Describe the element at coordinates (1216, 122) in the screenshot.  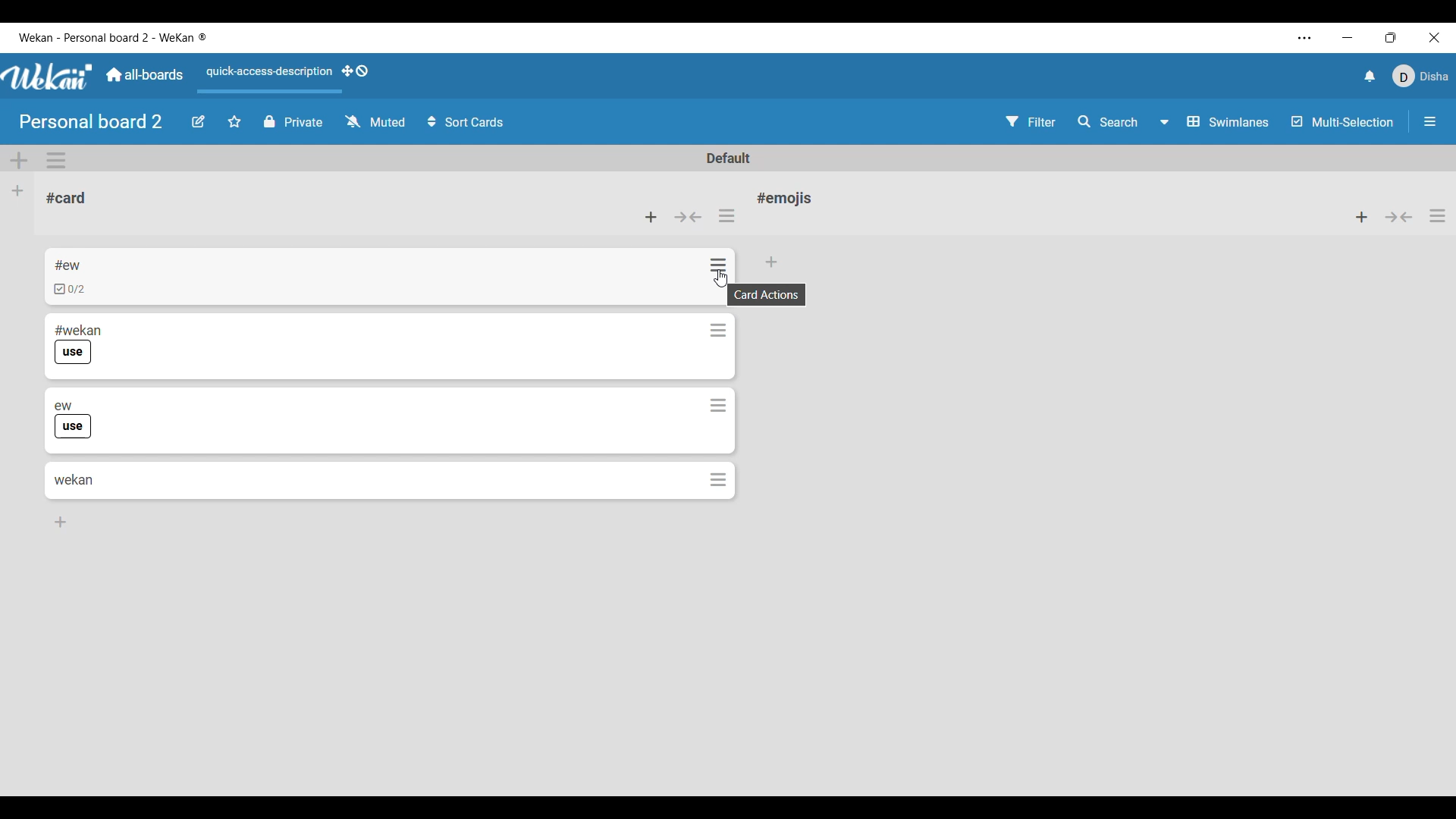
I see `Swimlane and other board view options` at that location.